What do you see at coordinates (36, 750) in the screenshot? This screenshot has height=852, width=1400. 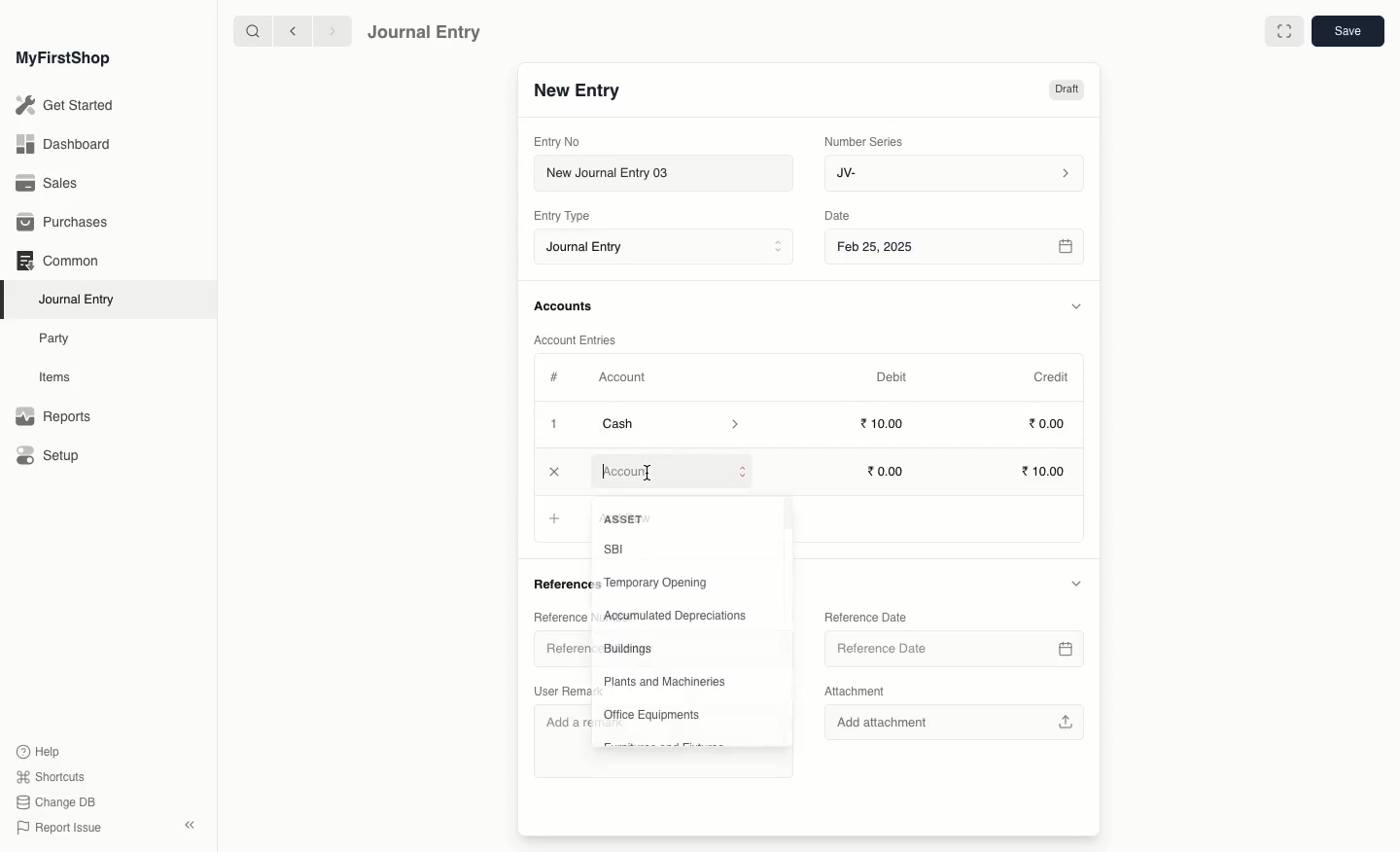 I see `Help` at bounding box center [36, 750].